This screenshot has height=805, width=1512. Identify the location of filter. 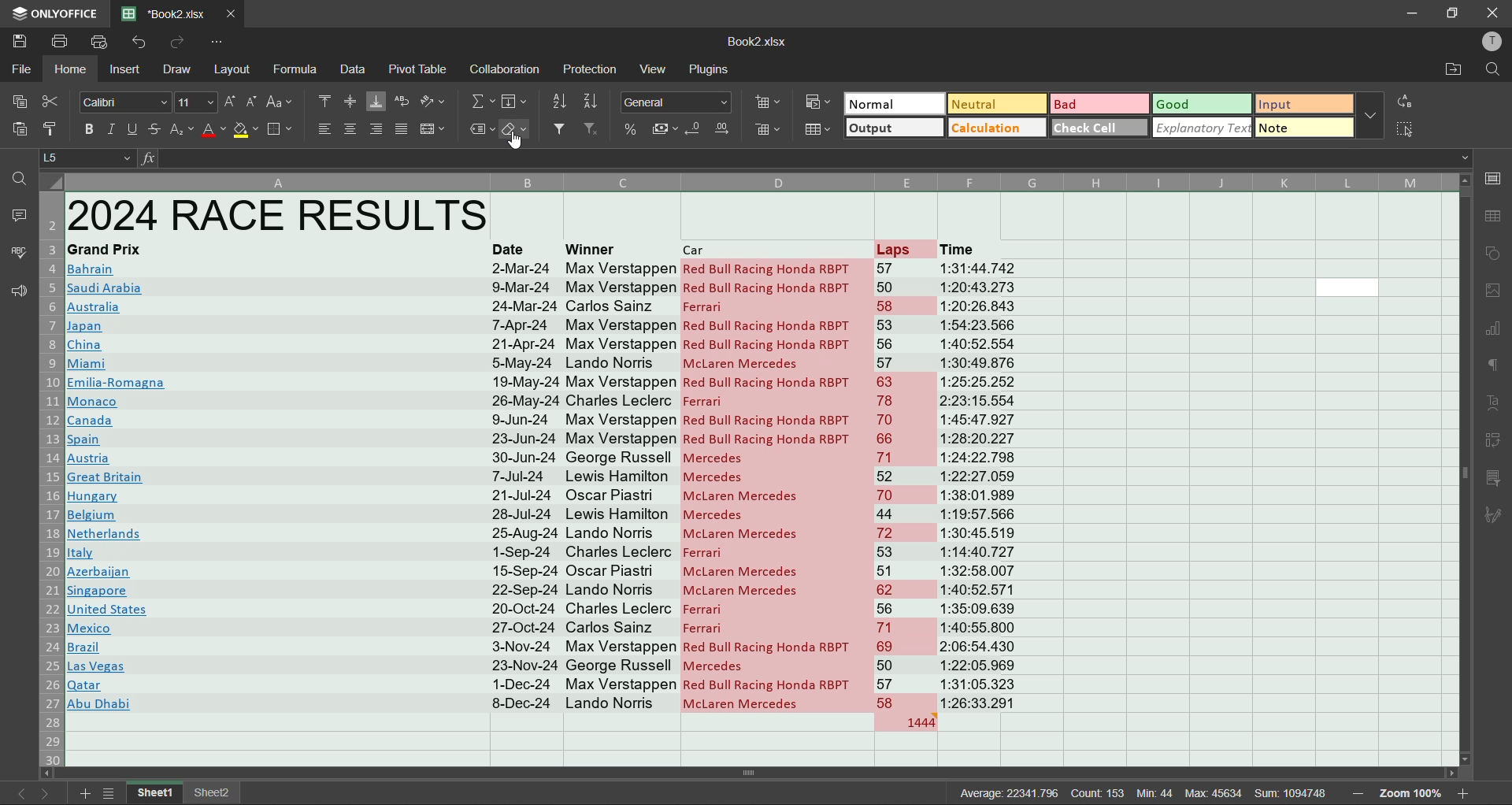
(561, 130).